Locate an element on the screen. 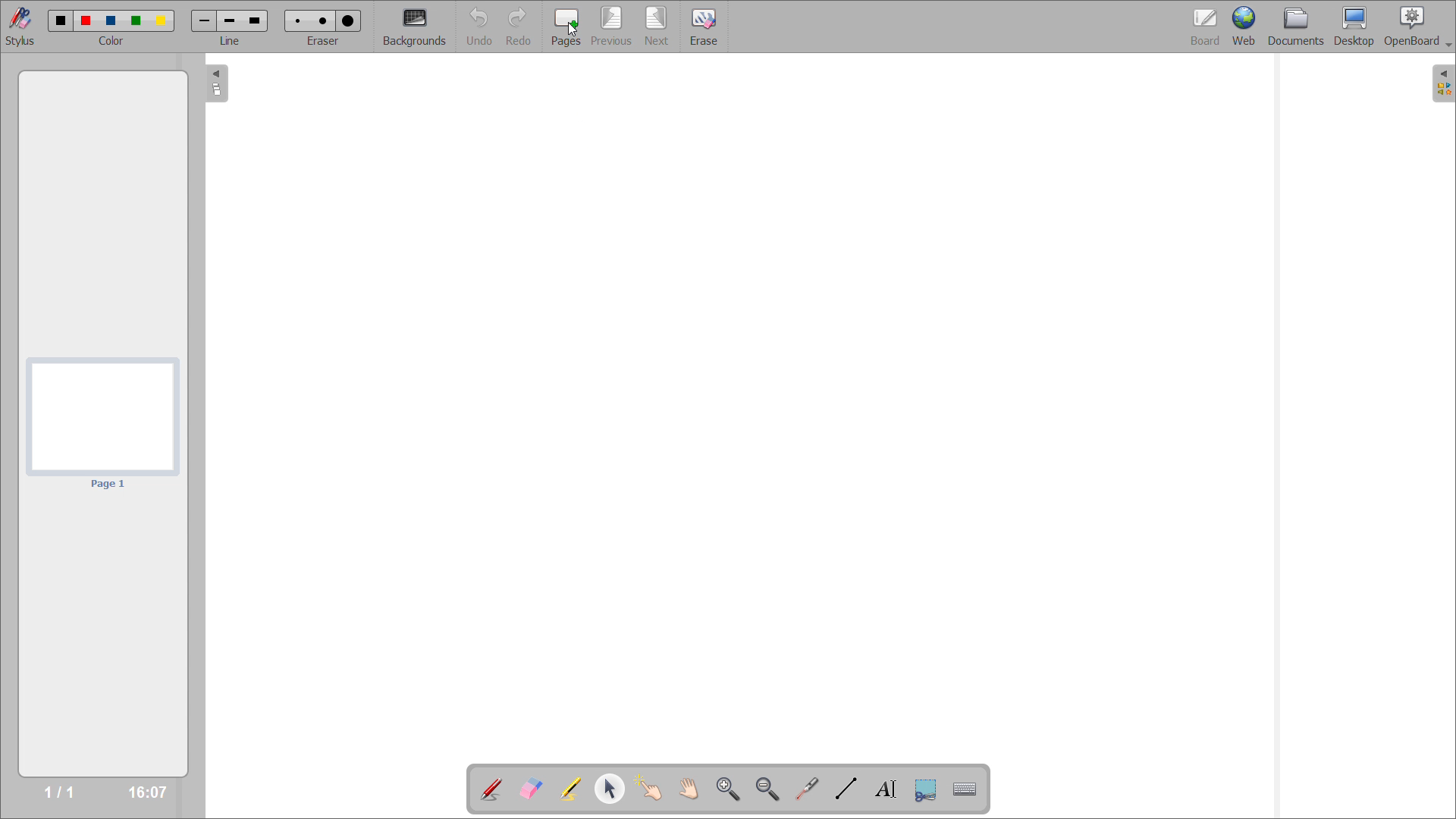 This screenshot has width=1456, height=819. highlight is located at coordinates (570, 789).